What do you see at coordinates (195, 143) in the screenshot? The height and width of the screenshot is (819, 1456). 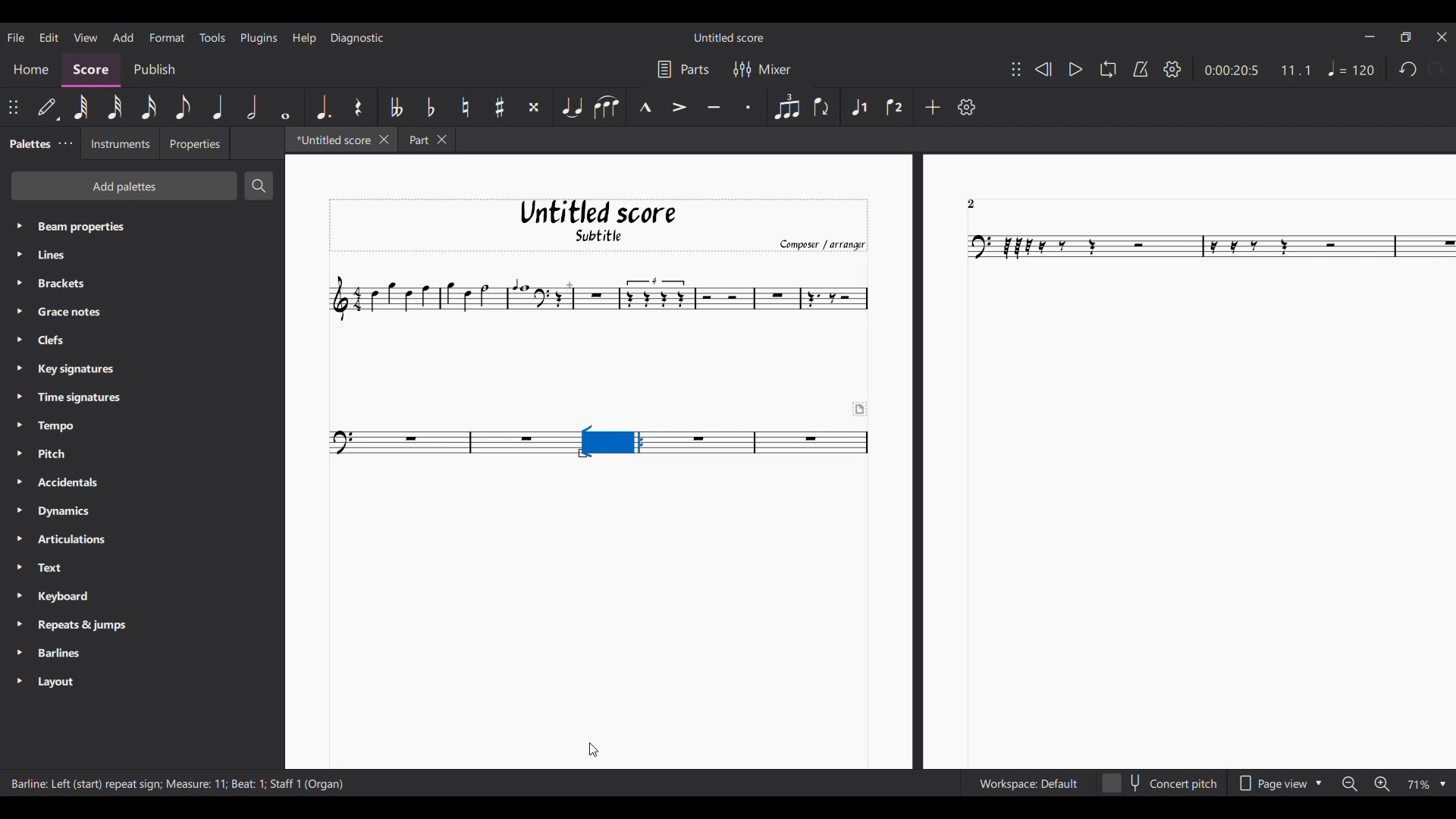 I see `Properties tab` at bounding box center [195, 143].